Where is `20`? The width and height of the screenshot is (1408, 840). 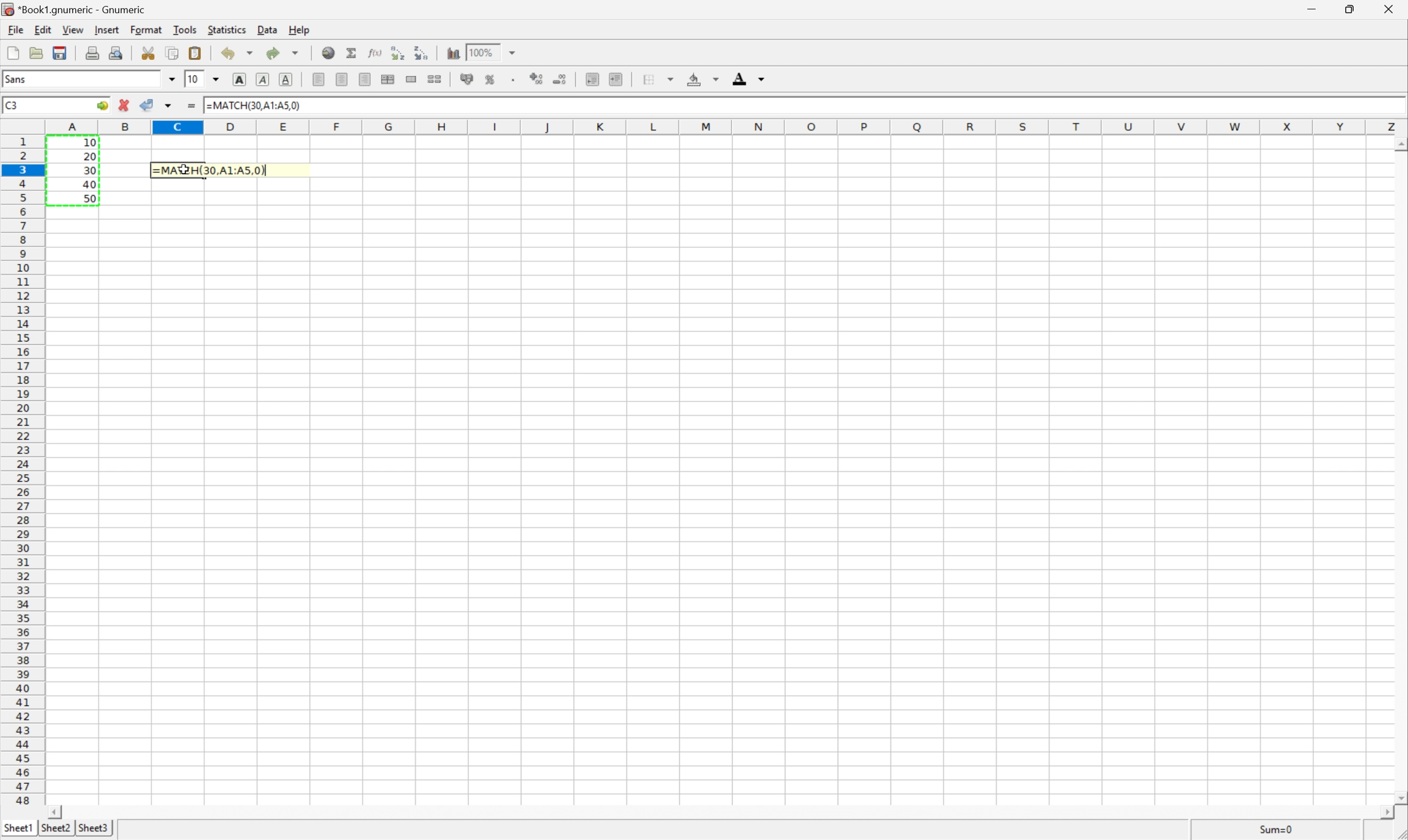 20 is located at coordinates (91, 156).